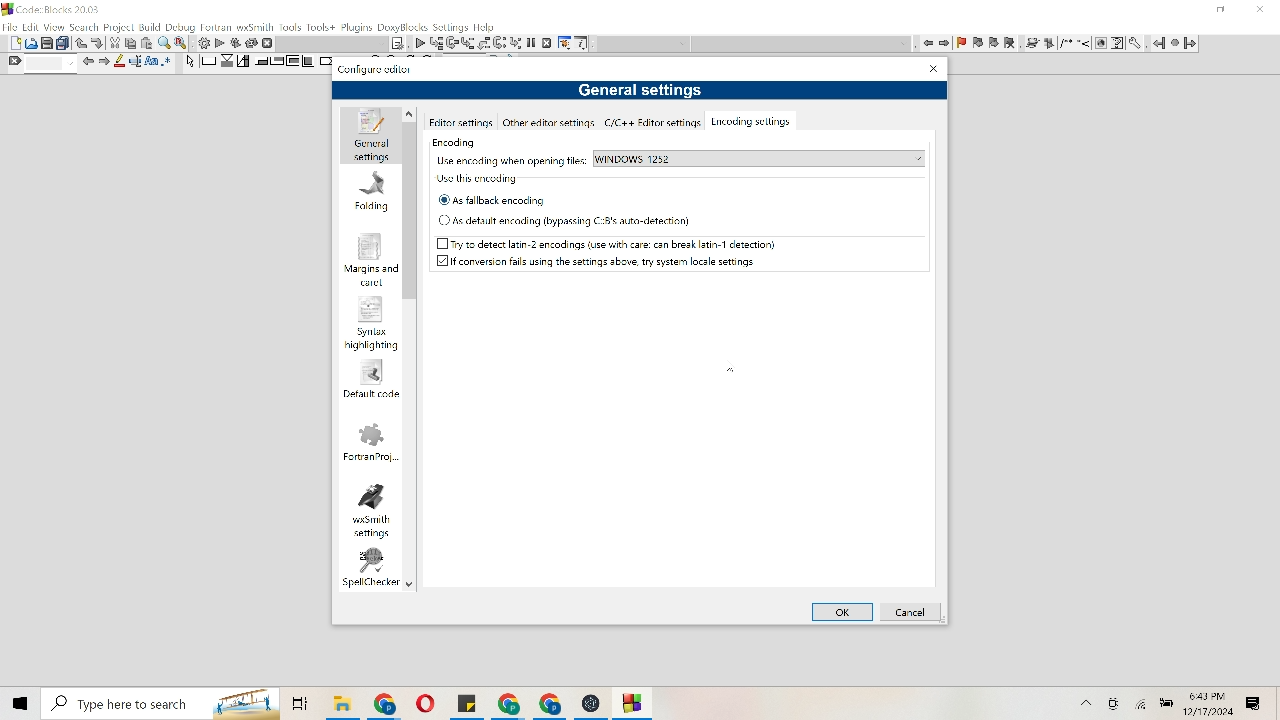 This screenshot has width=1280, height=720. Describe the element at coordinates (467, 703) in the screenshot. I see `File` at that location.